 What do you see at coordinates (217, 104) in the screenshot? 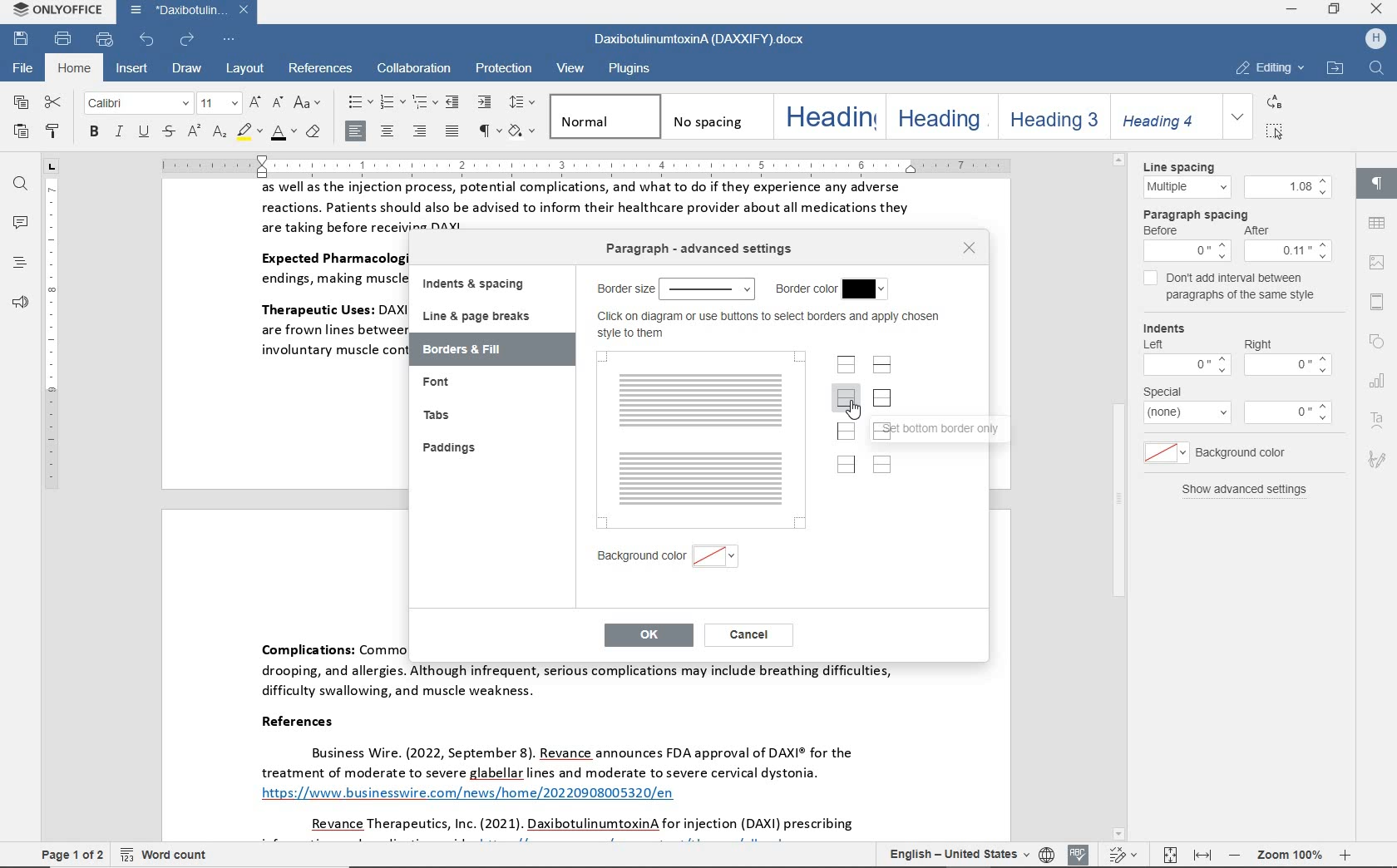
I see `font size` at bounding box center [217, 104].